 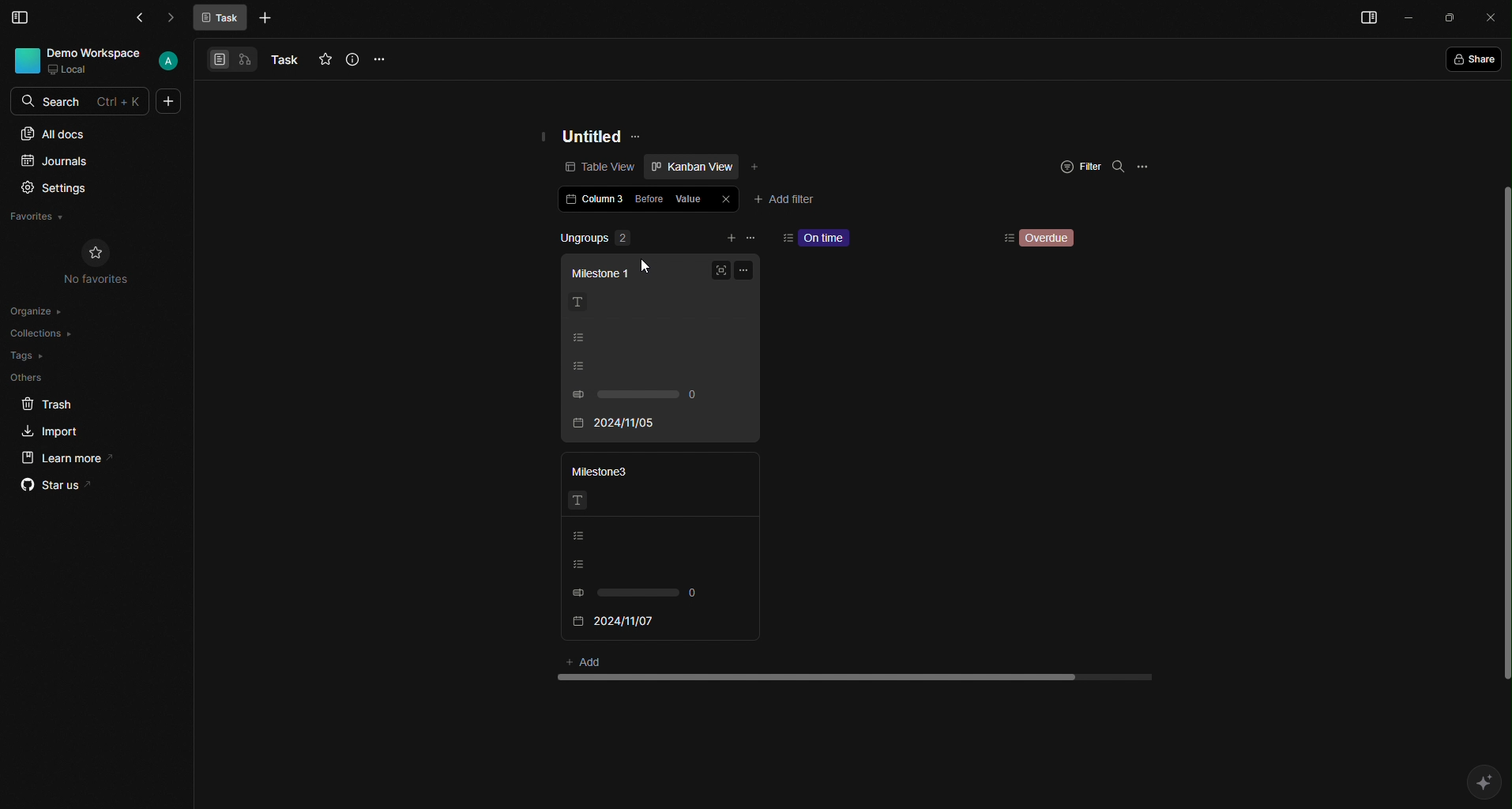 What do you see at coordinates (215, 58) in the screenshot?
I see `View 1` at bounding box center [215, 58].